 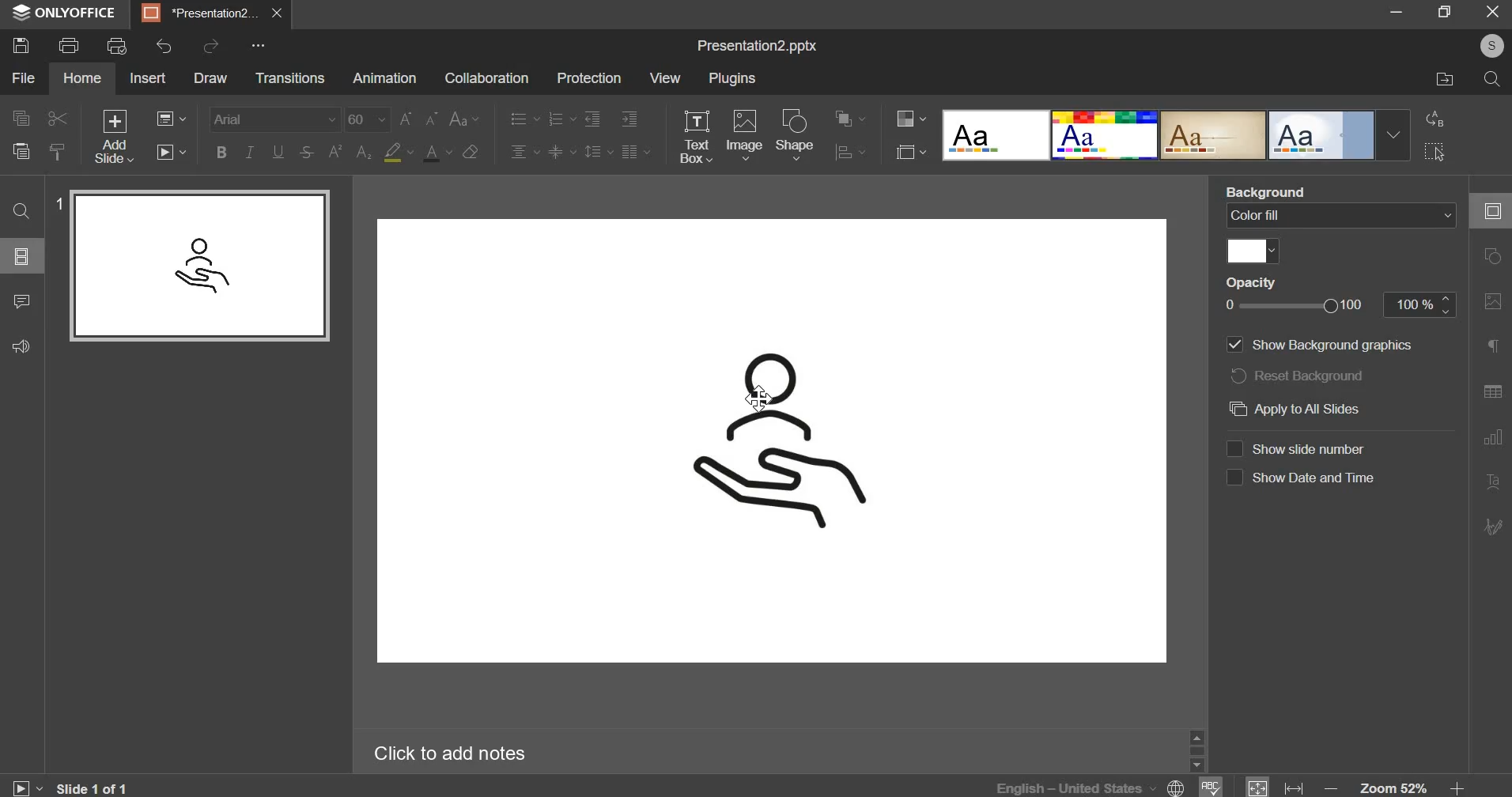 What do you see at coordinates (437, 153) in the screenshot?
I see `text color` at bounding box center [437, 153].